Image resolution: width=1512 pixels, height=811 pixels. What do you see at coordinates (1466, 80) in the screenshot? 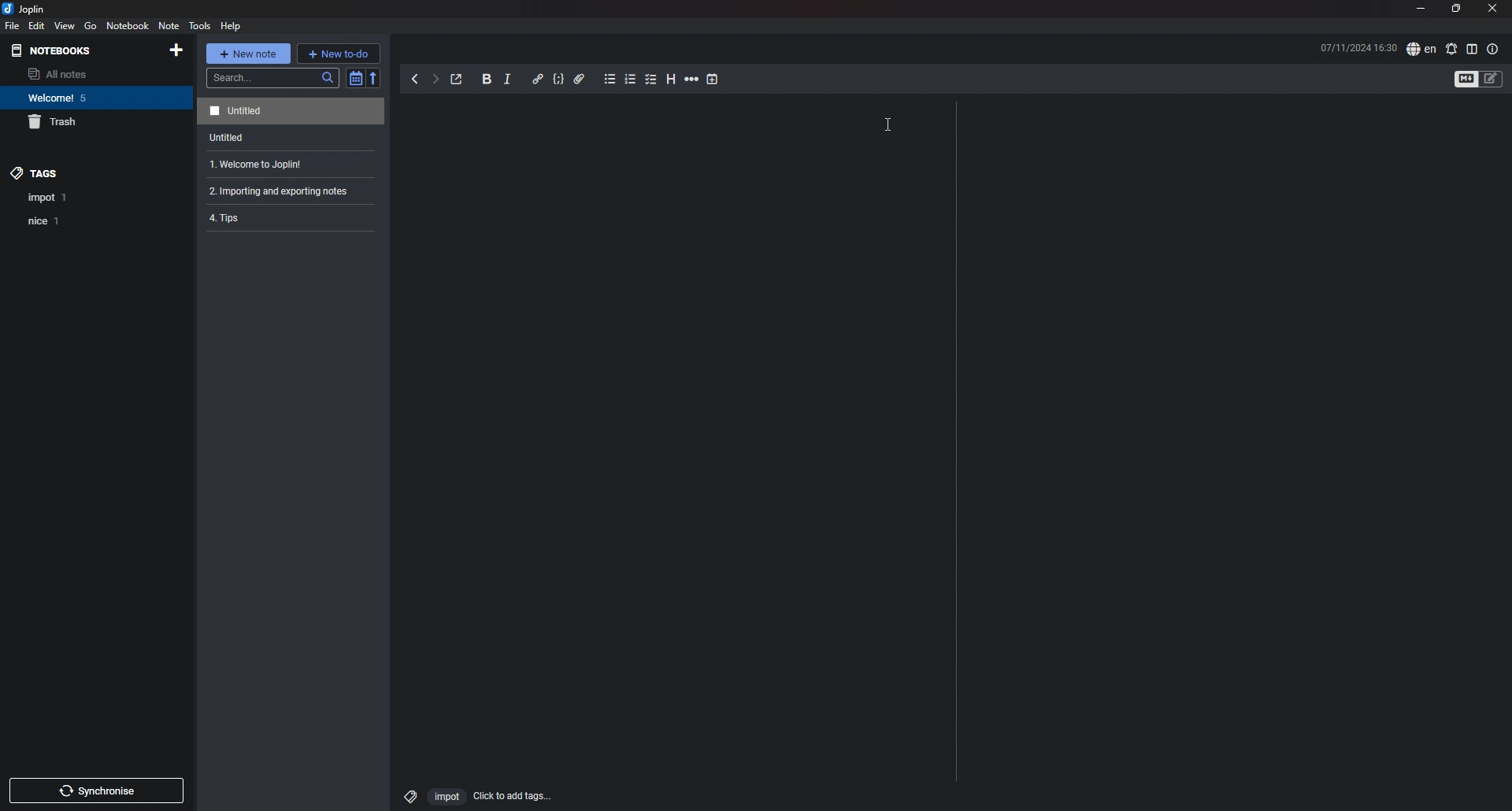
I see `toggle editors` at bounding box center [1466, 80].